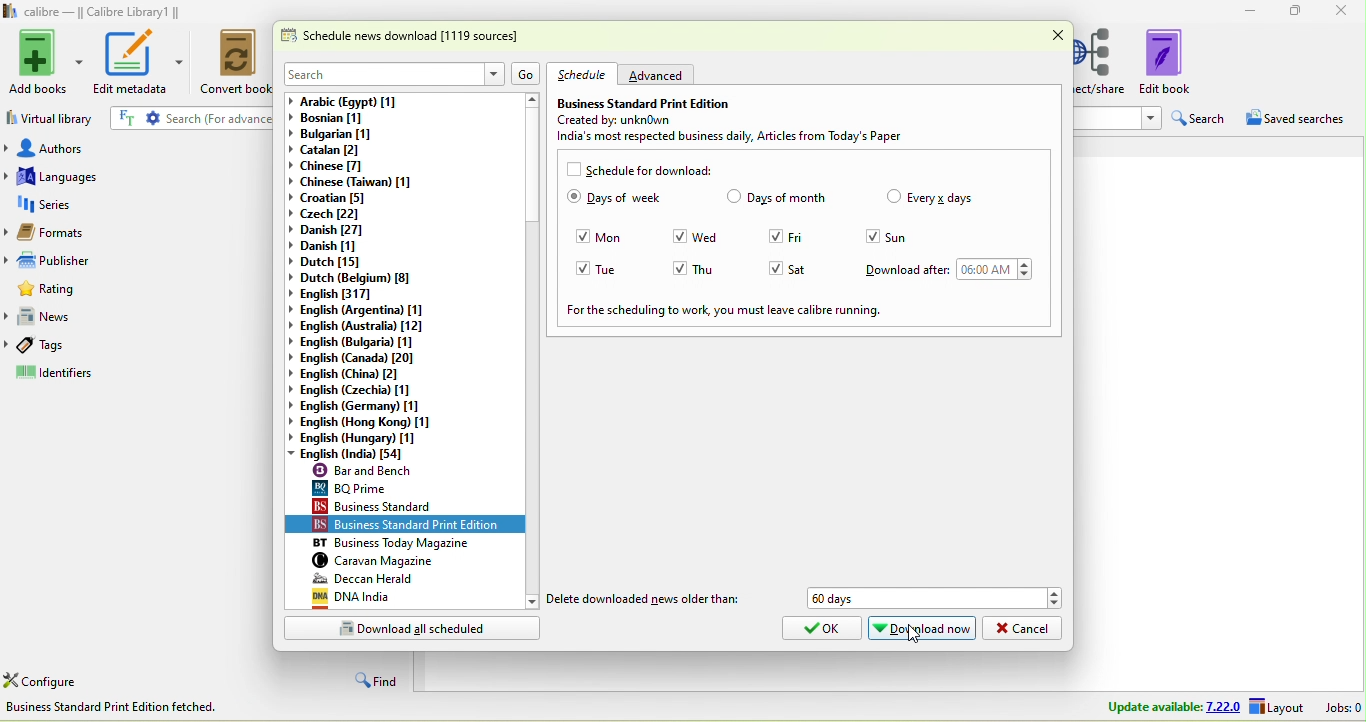  I want to click on search, so click(1203, 117).